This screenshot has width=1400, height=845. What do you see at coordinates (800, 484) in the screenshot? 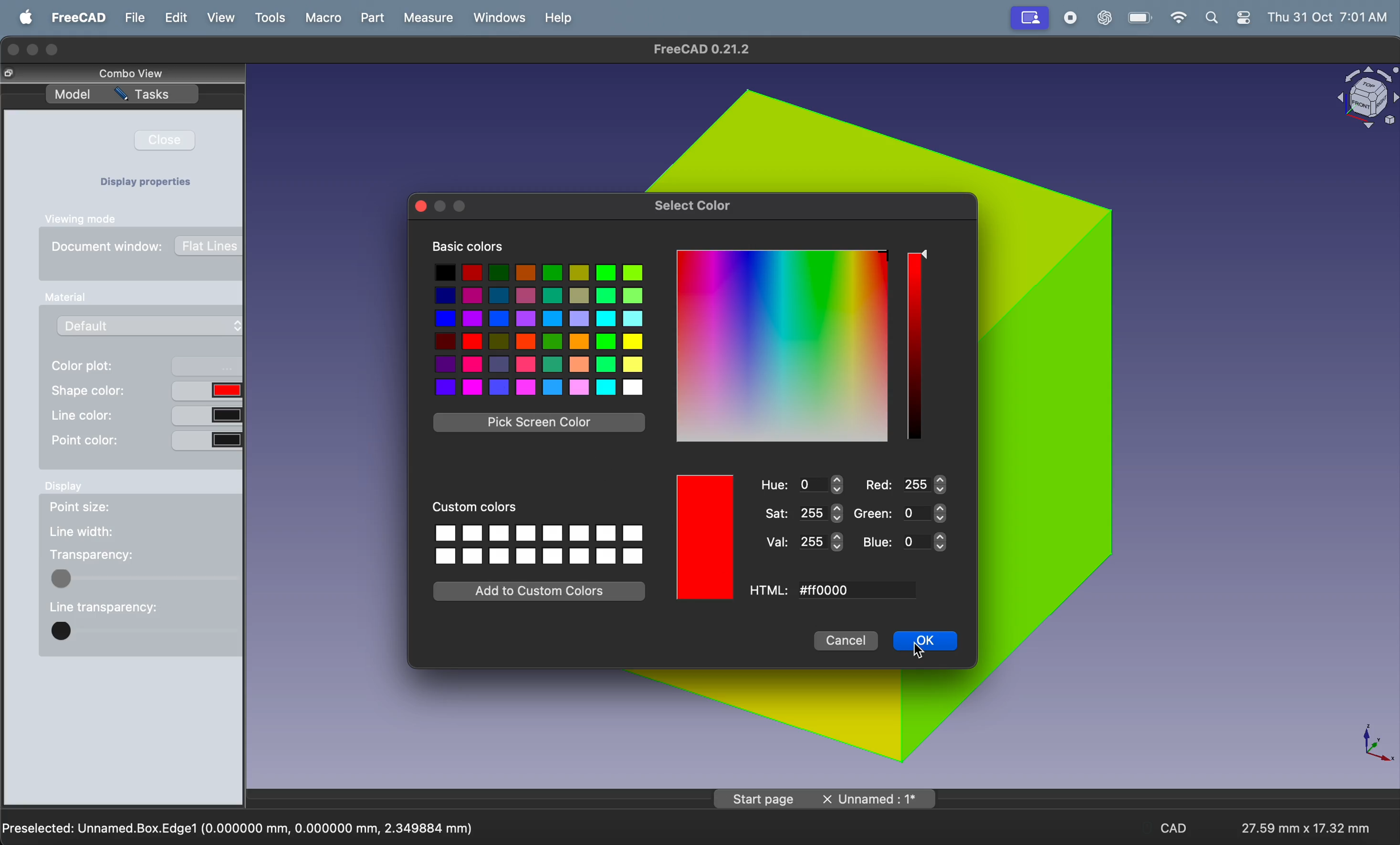
I see `hue` at bounding box center [800, 484].